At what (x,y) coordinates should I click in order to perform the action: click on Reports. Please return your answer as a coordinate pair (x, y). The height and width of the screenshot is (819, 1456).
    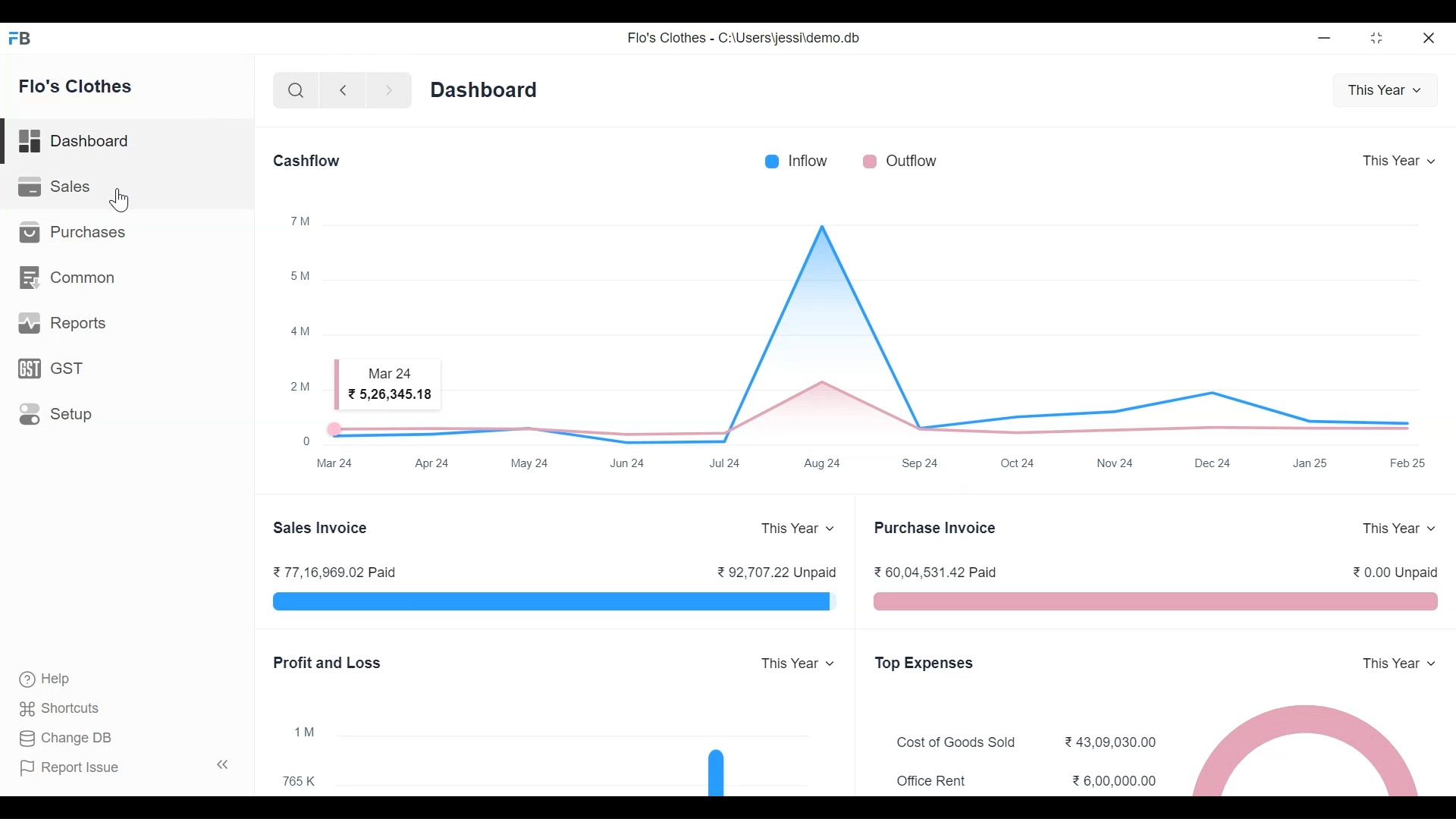
    Looking at the image, I should click on (64, 320).